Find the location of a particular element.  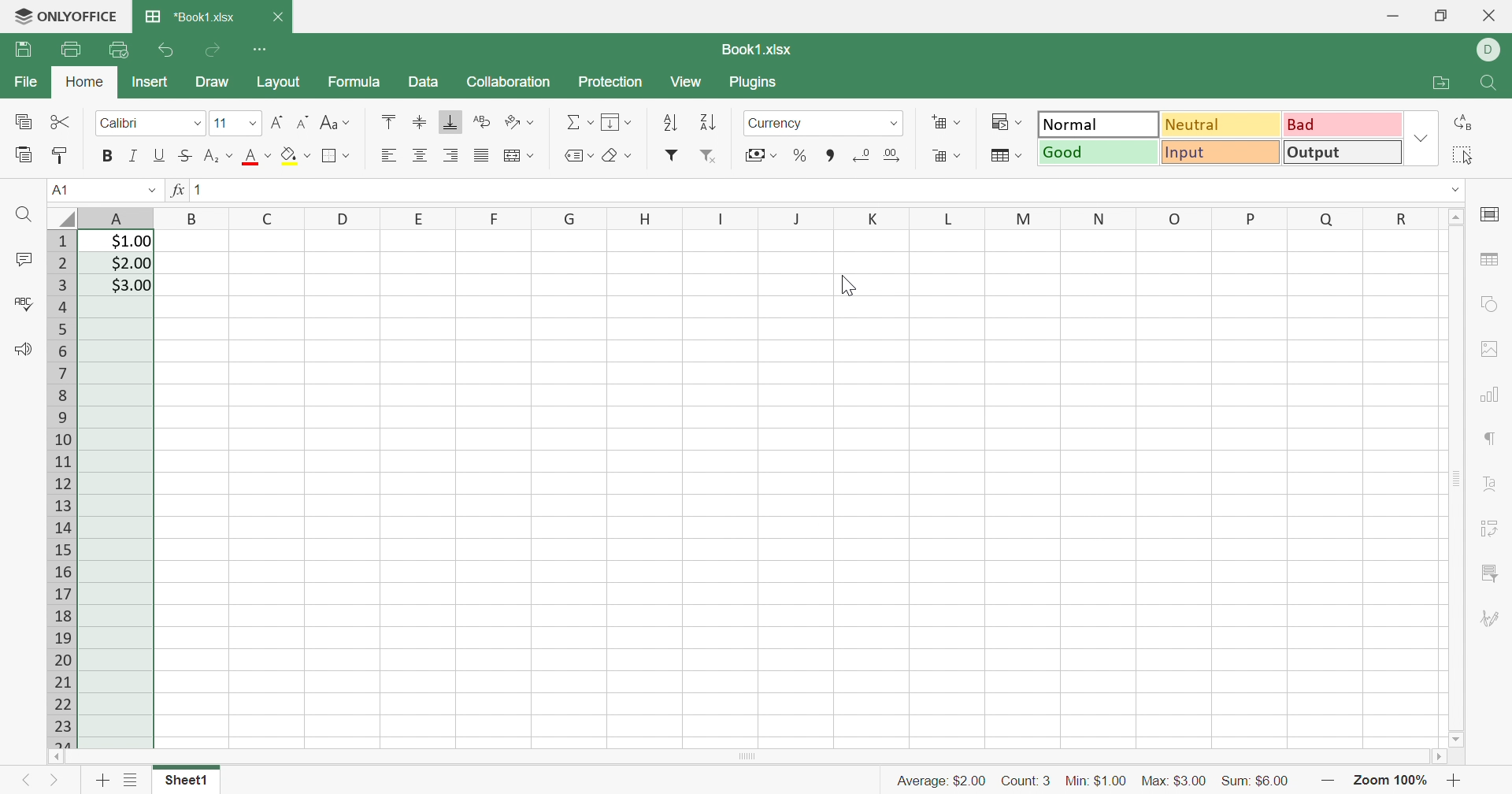

Paragraph settings is located at coordinates (1492, 439).